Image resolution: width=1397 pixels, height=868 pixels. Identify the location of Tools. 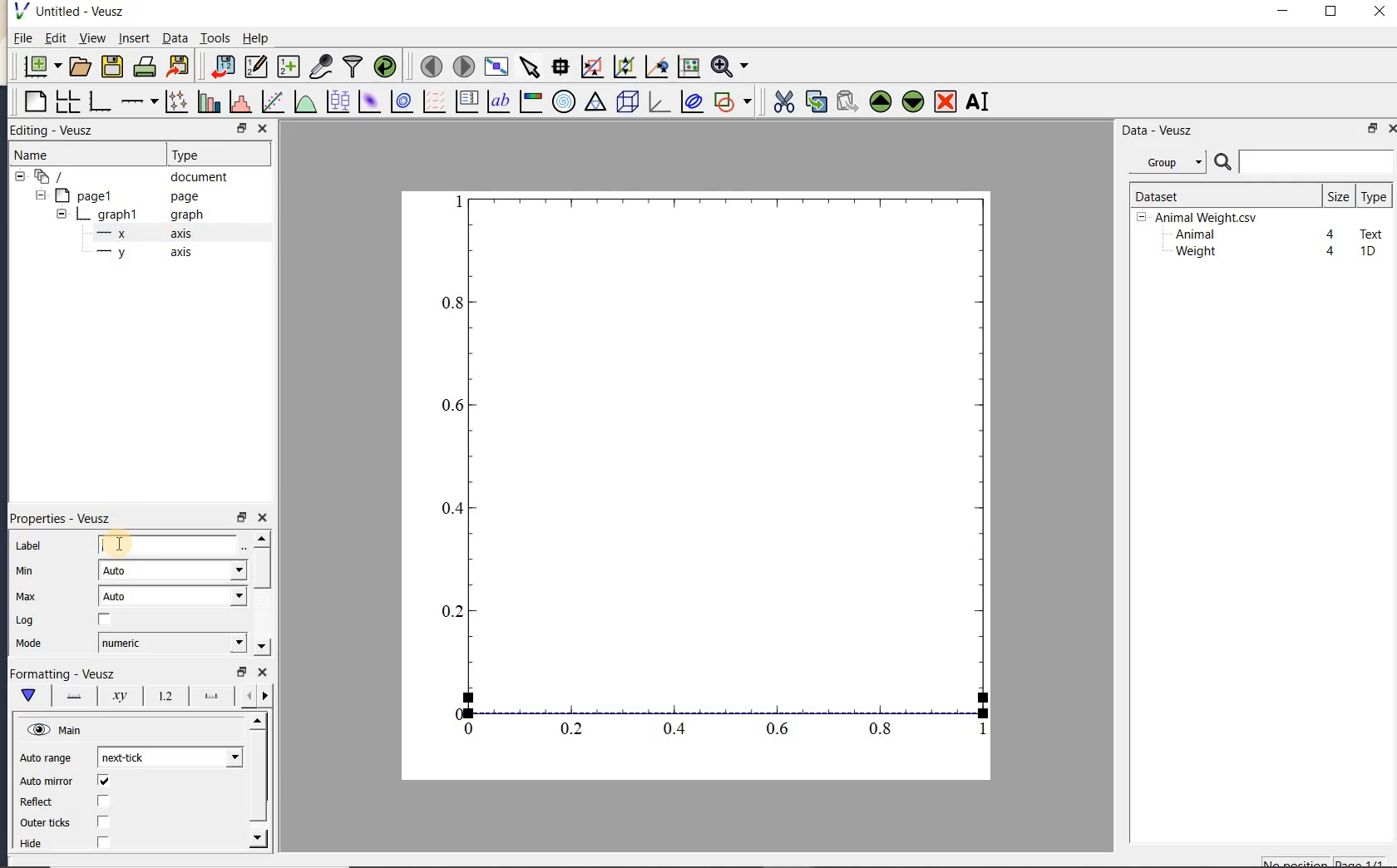
(216, 37).